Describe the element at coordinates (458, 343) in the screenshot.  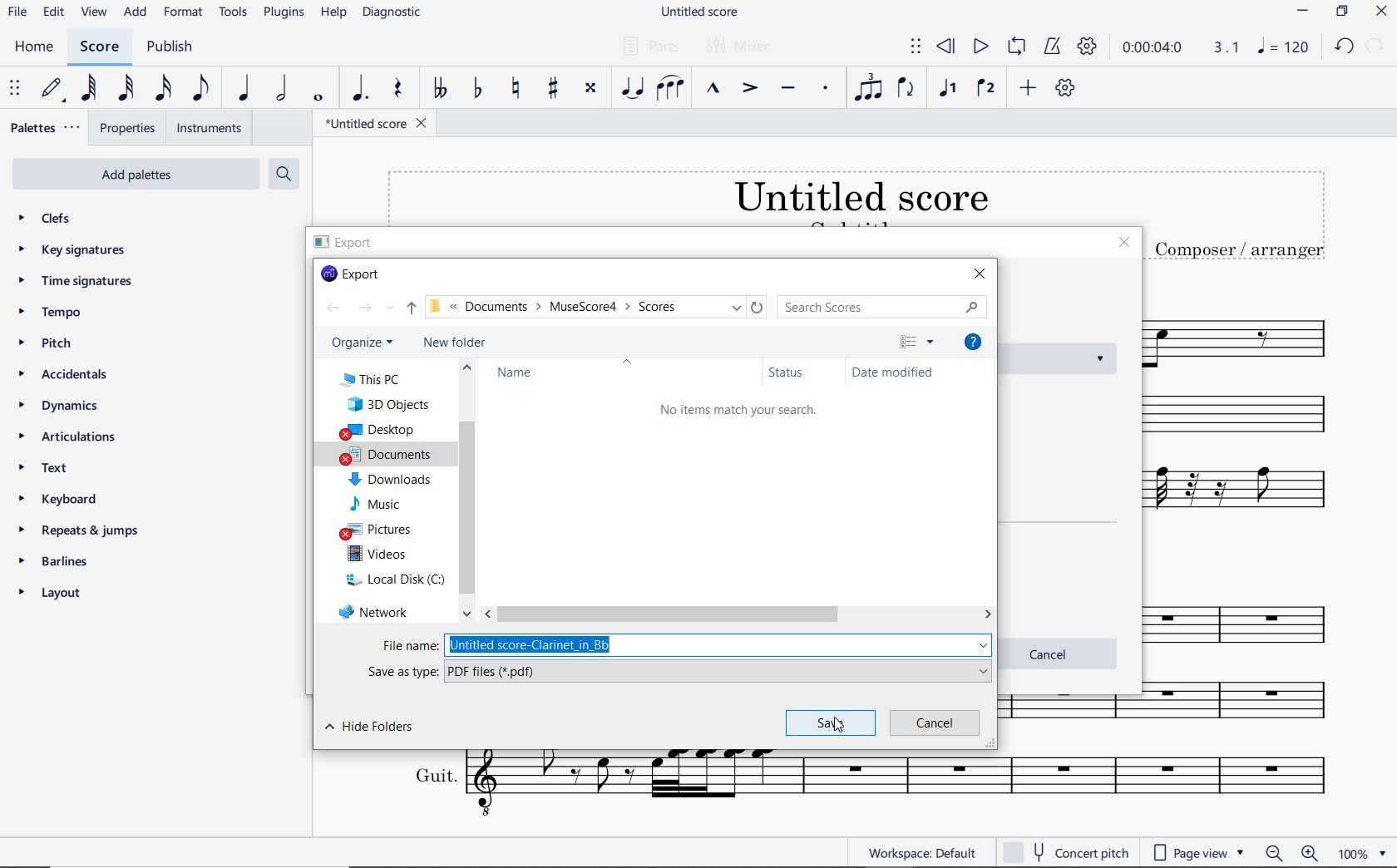
I see `NEW FOLDER` at that location.